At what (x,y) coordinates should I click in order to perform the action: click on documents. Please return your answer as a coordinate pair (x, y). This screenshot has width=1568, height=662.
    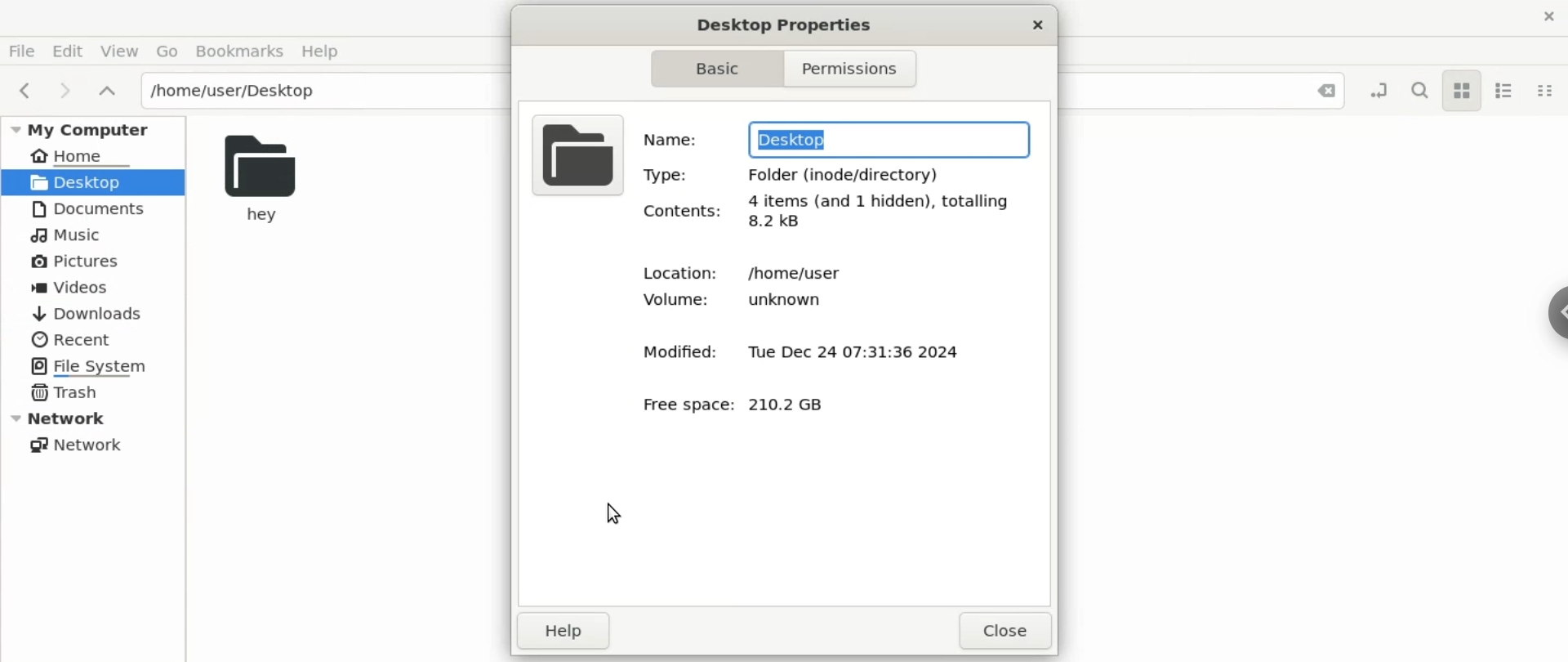
    Looking at the image, I should click on (86, 208).